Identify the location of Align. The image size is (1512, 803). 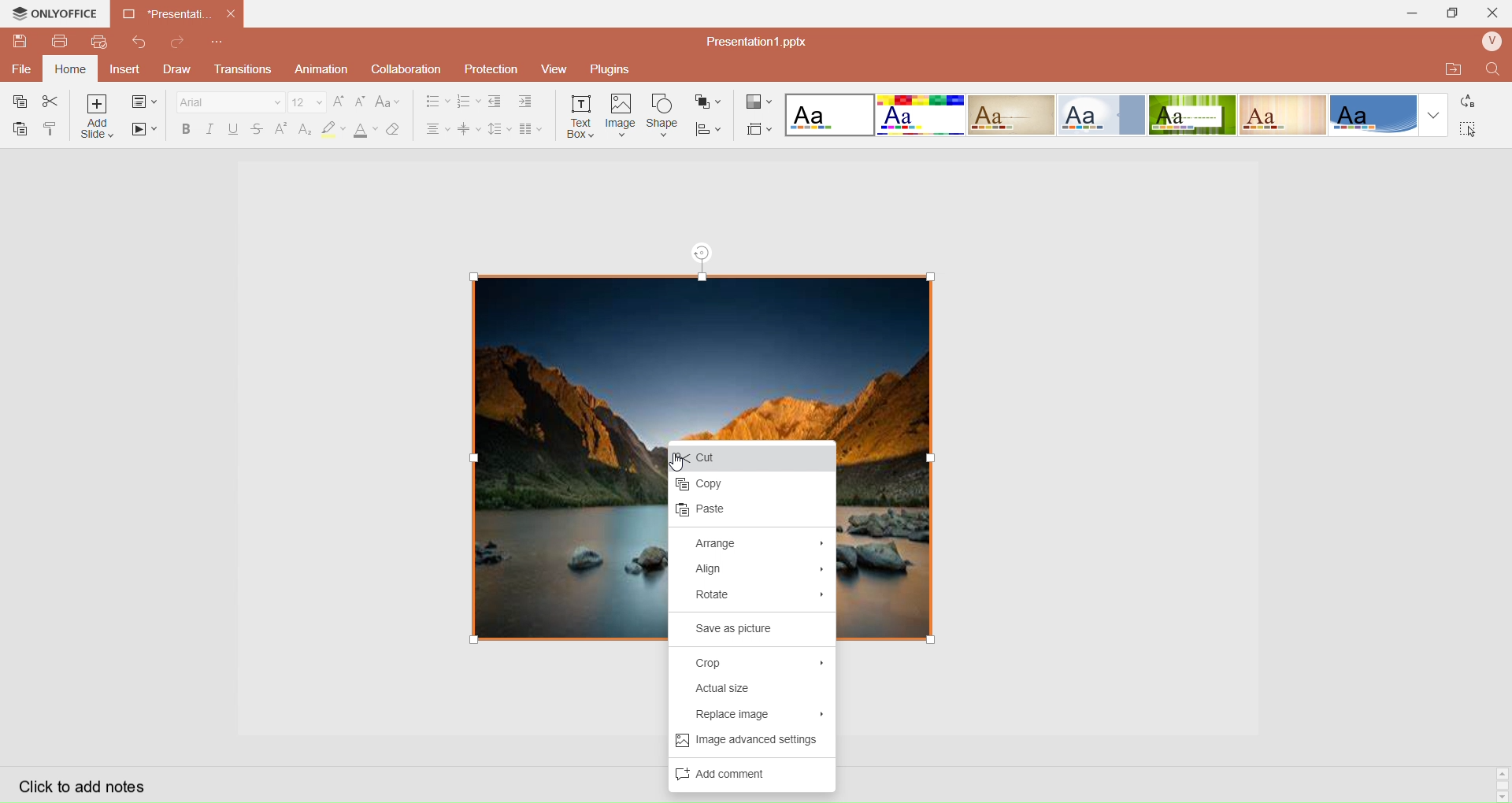
(755, 568).